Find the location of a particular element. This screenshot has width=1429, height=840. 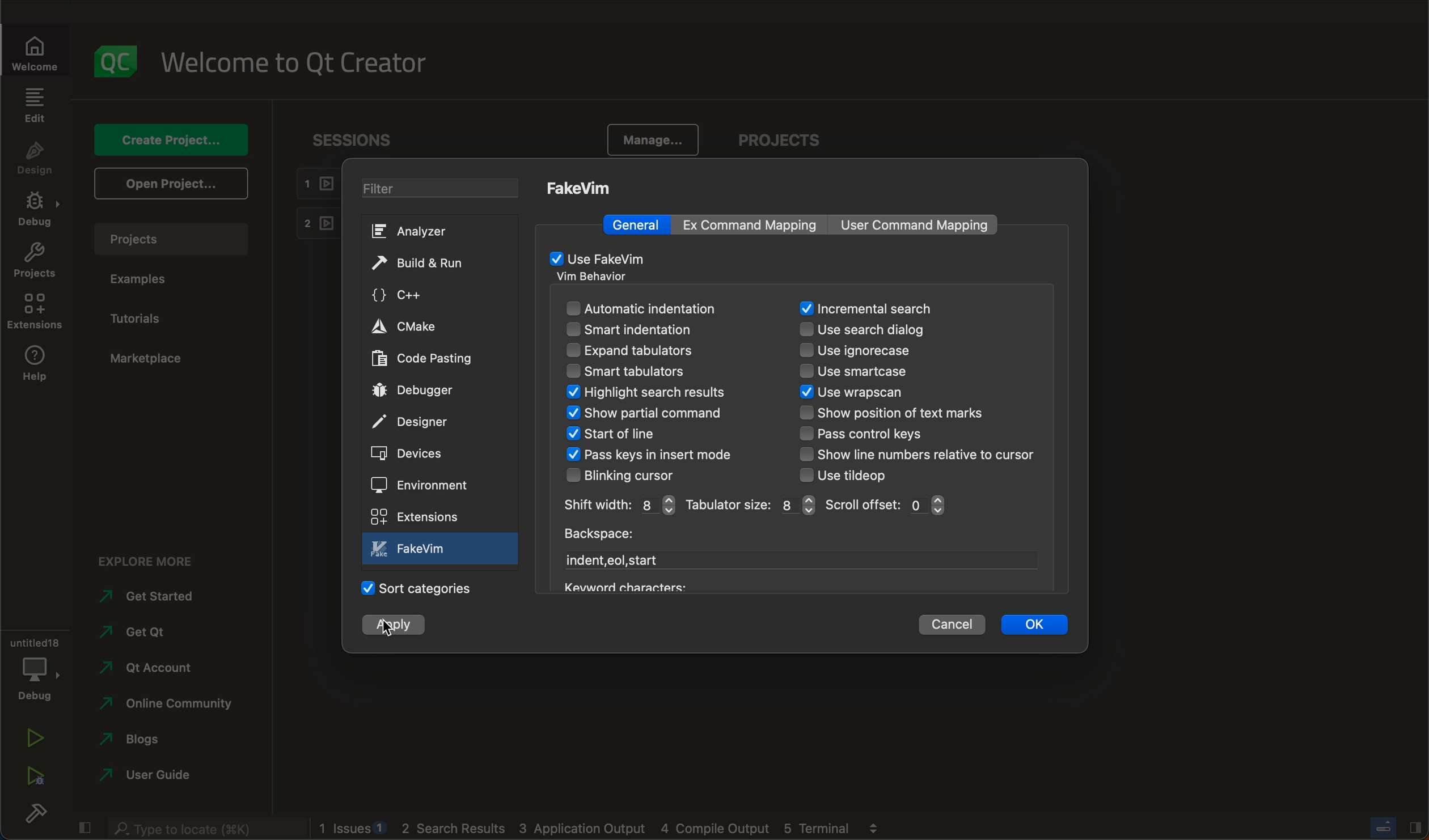

clicked is located at coordinates (395, 626).